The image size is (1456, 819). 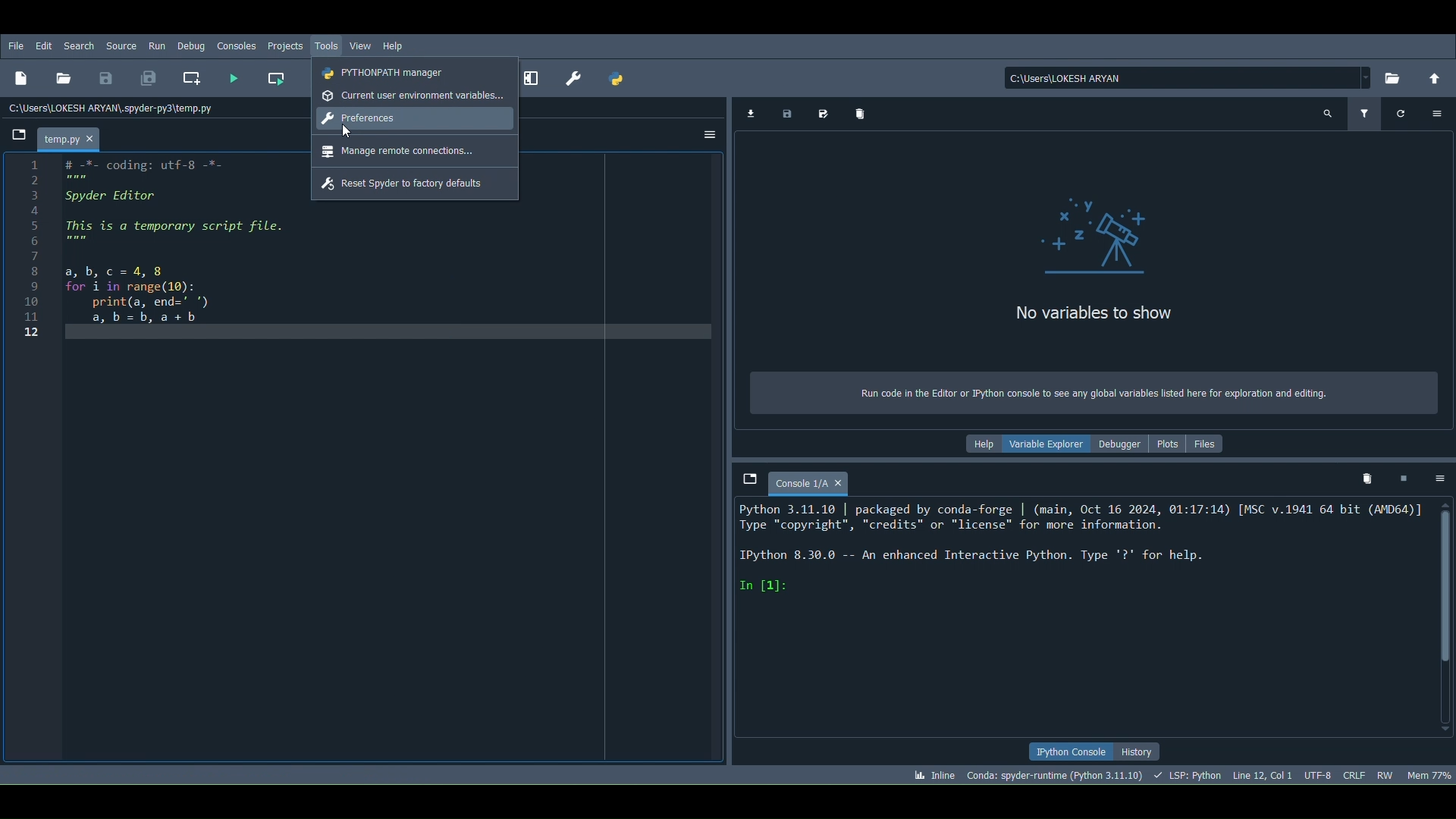 What do you see at coordinates (234, 77) in the screenshot?
I see `Run file (F5)` at bounding box center [234, 77].